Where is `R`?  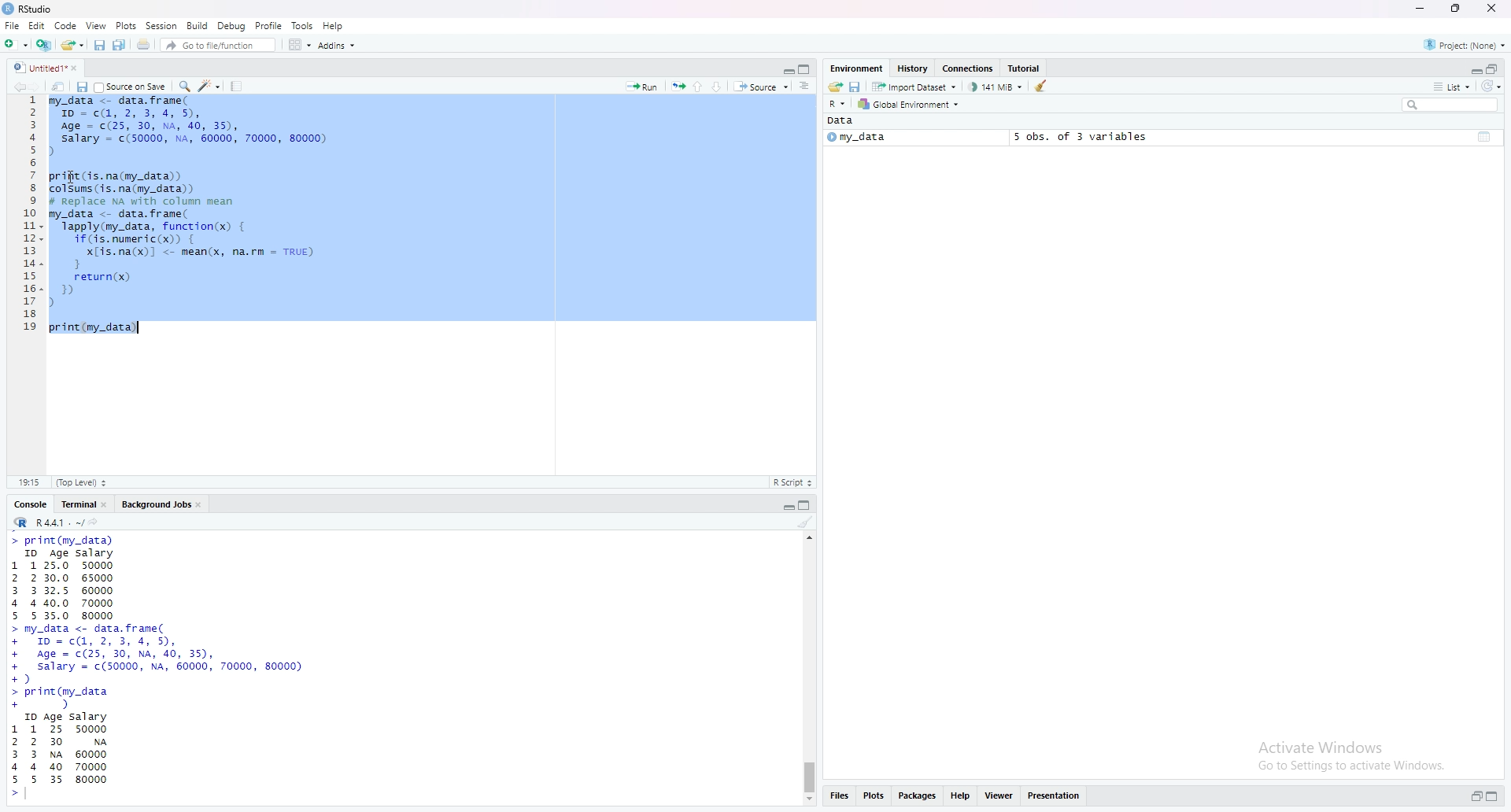
R is located at coordinates (837, 105).